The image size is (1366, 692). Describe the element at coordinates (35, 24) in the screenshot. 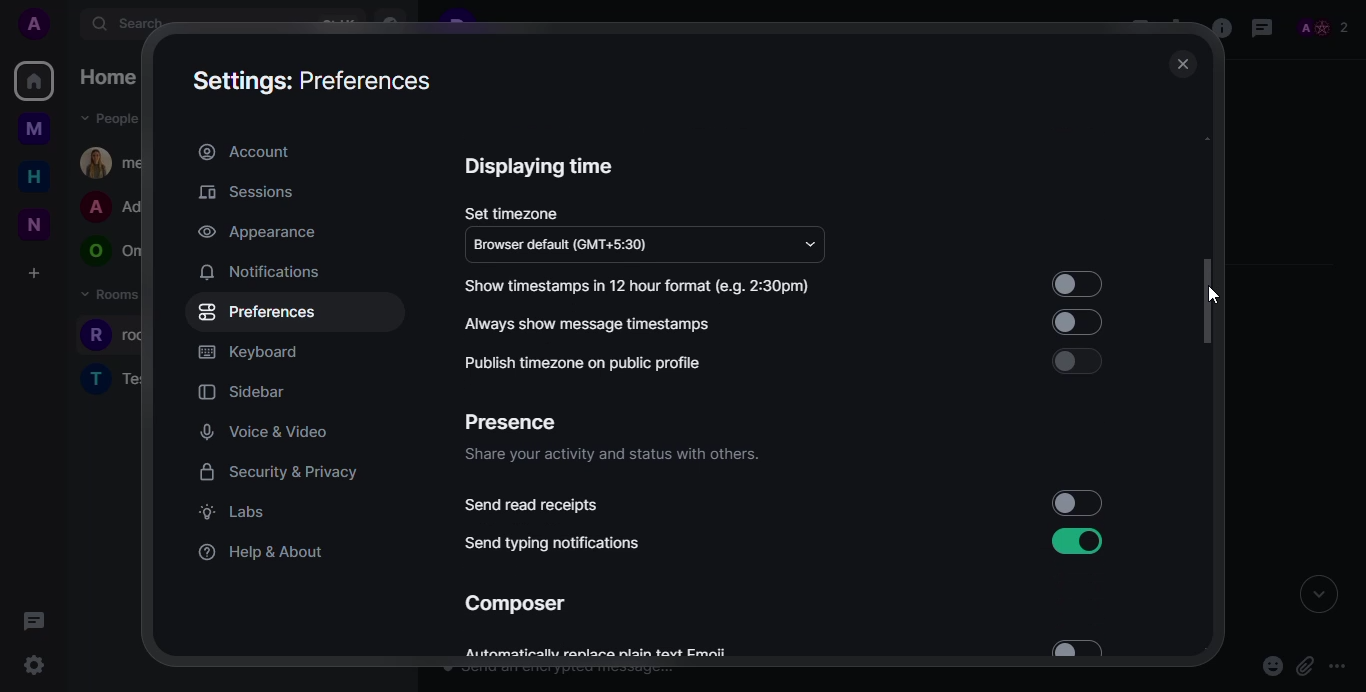

I see `profile` at that location.